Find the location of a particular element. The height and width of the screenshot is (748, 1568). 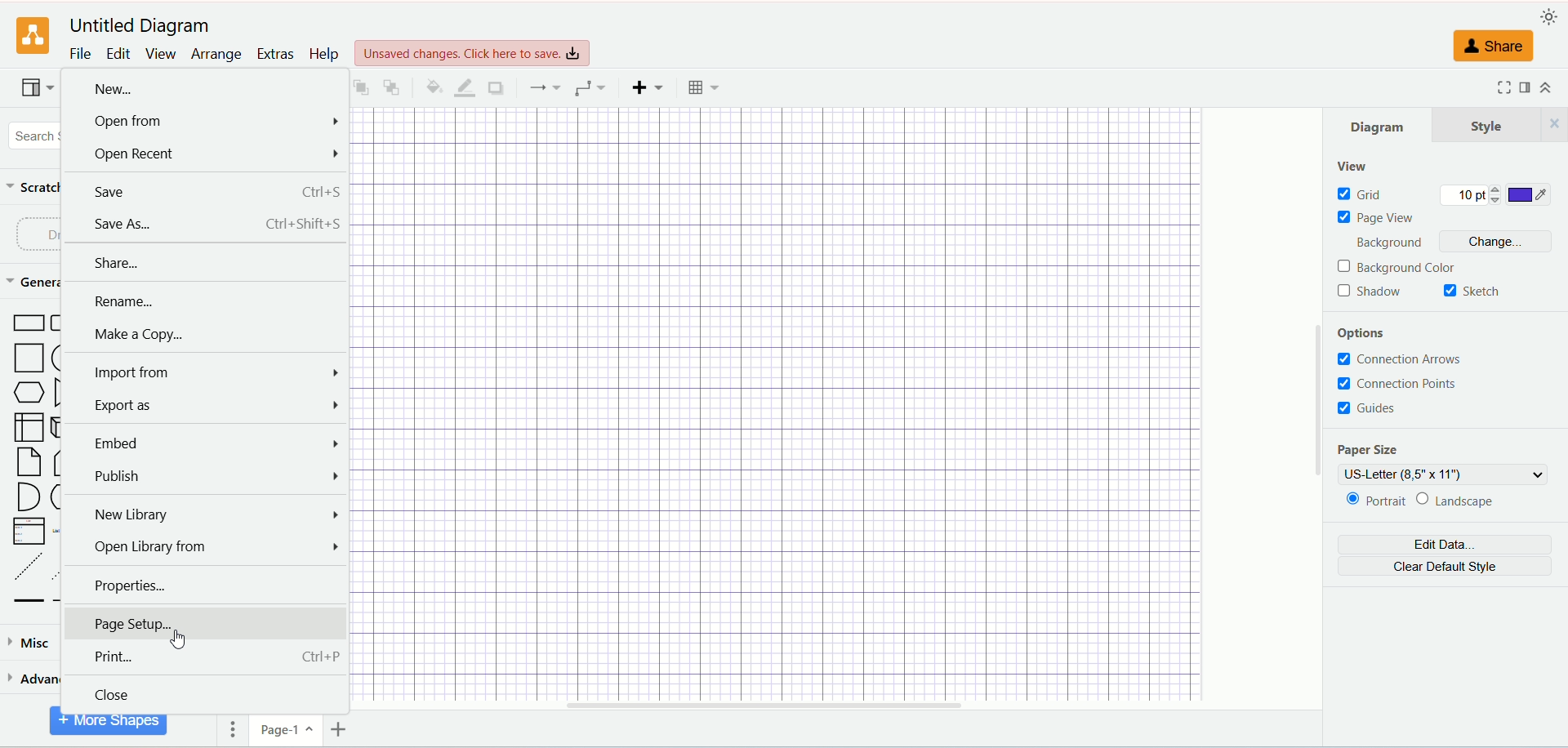

fullscreen is located at coordinates (1500, 87).